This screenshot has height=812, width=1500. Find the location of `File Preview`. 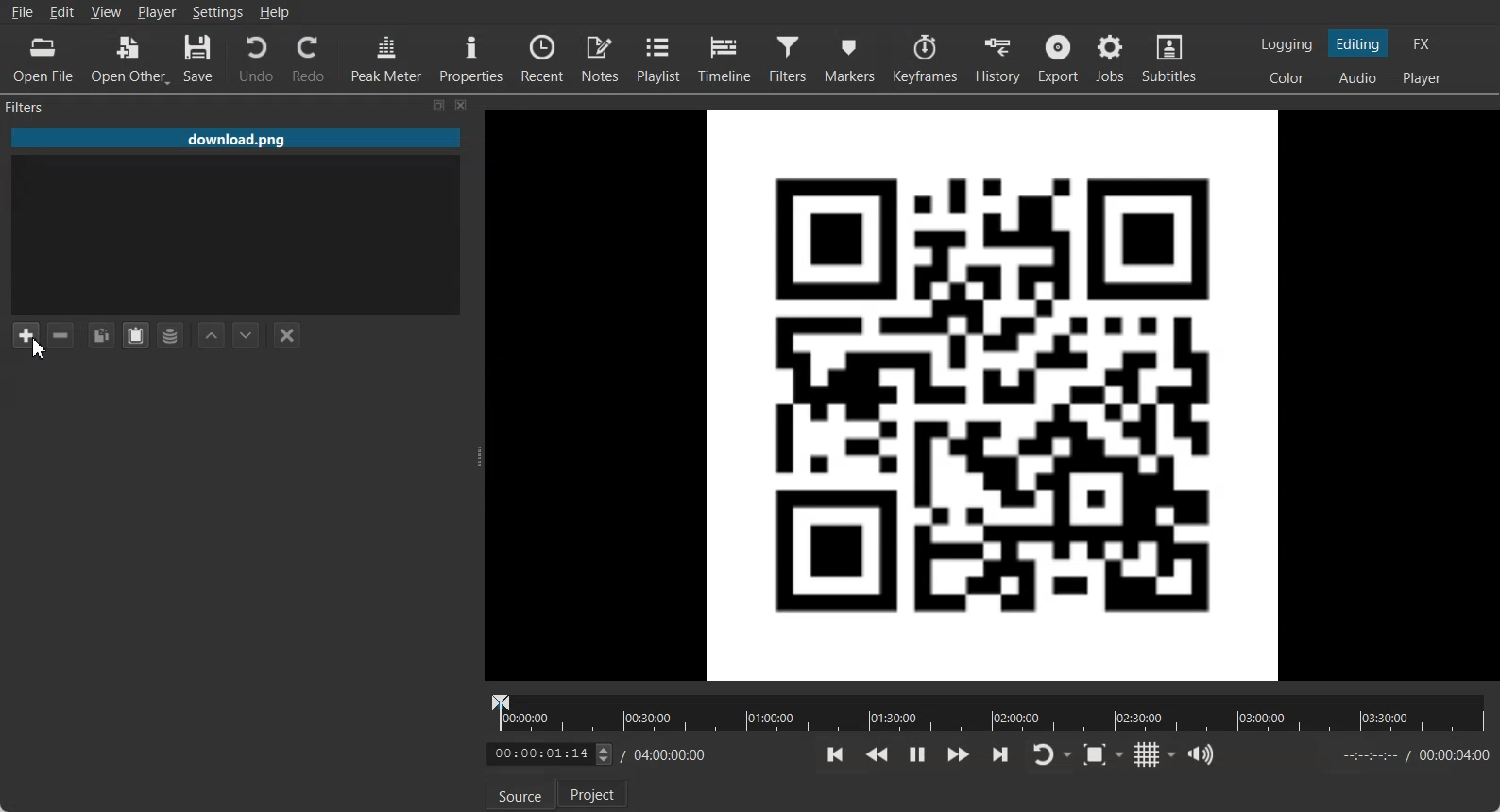

File Preview is located at coordinates (994, 392).